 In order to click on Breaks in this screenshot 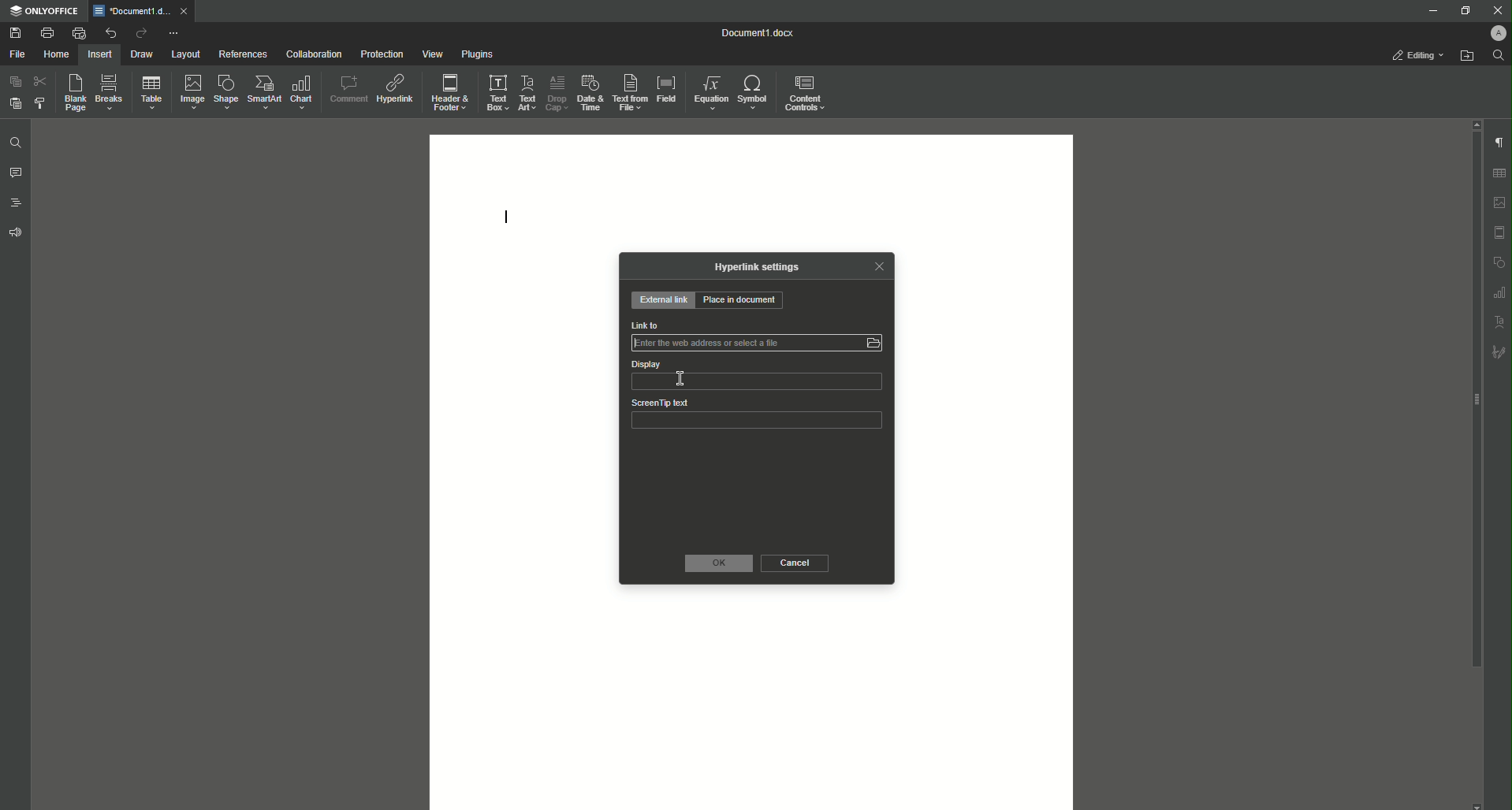, I will do `click(111, 91)`.